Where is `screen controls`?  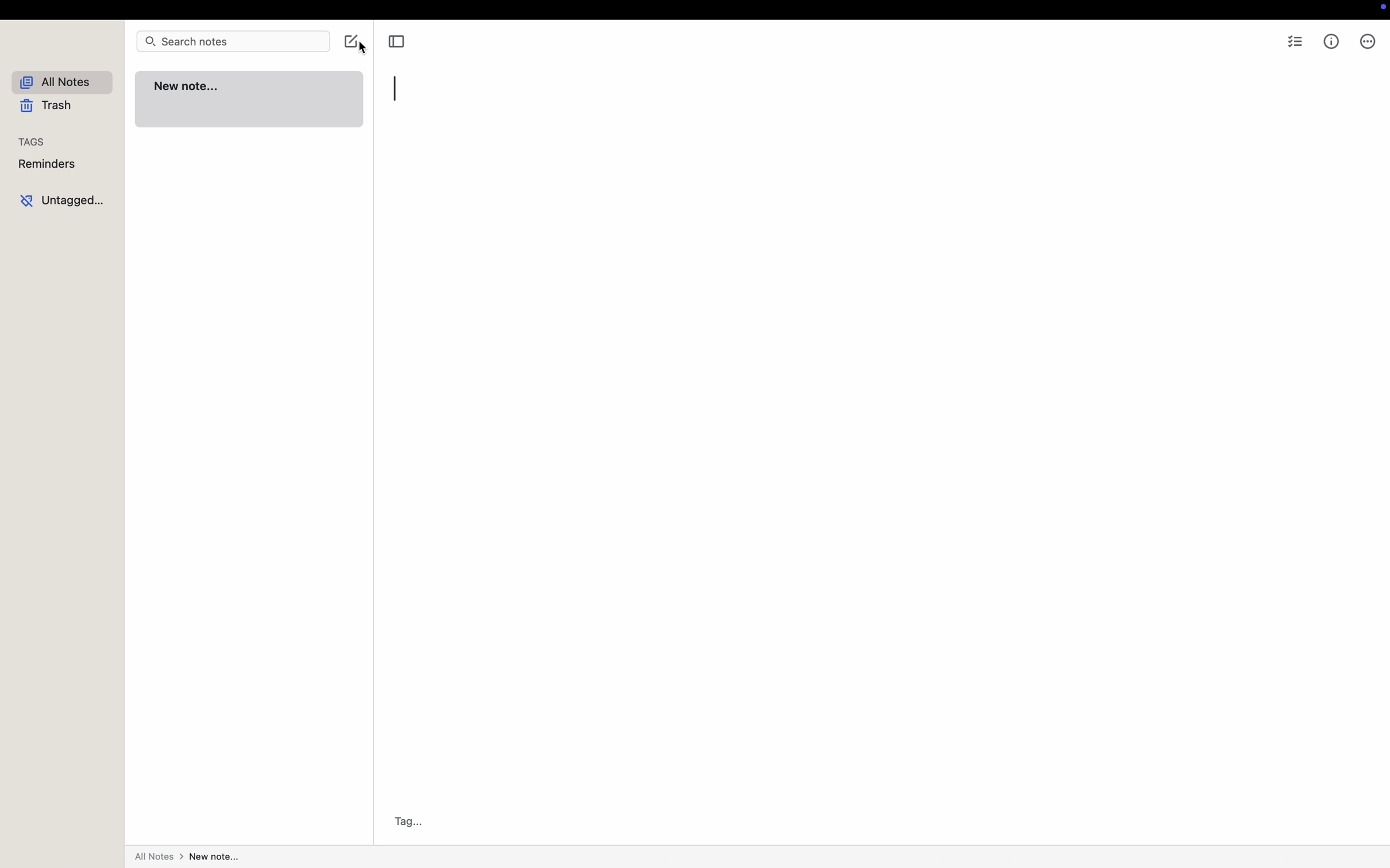 screen controls is located at coordinates (1380, 10).